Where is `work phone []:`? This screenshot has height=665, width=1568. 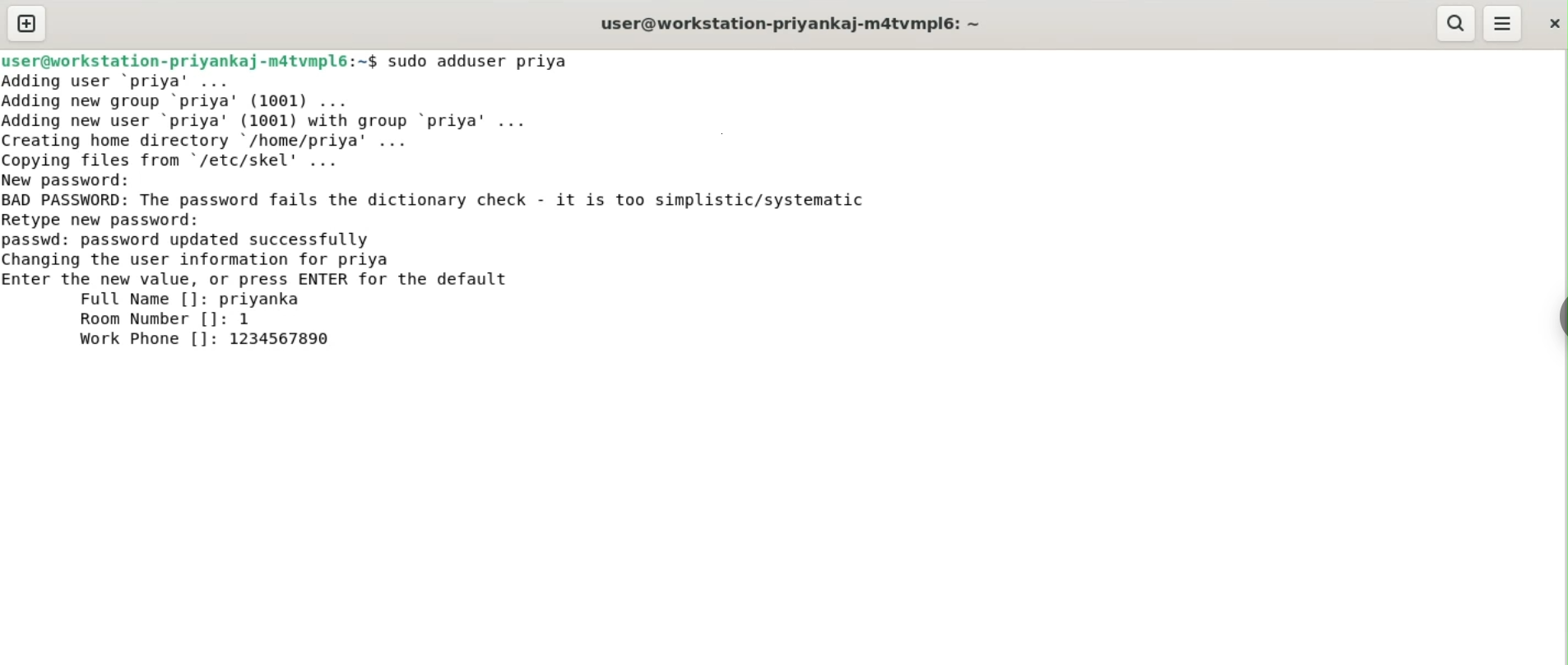
work phone []: is located at coordinates (141, 342).